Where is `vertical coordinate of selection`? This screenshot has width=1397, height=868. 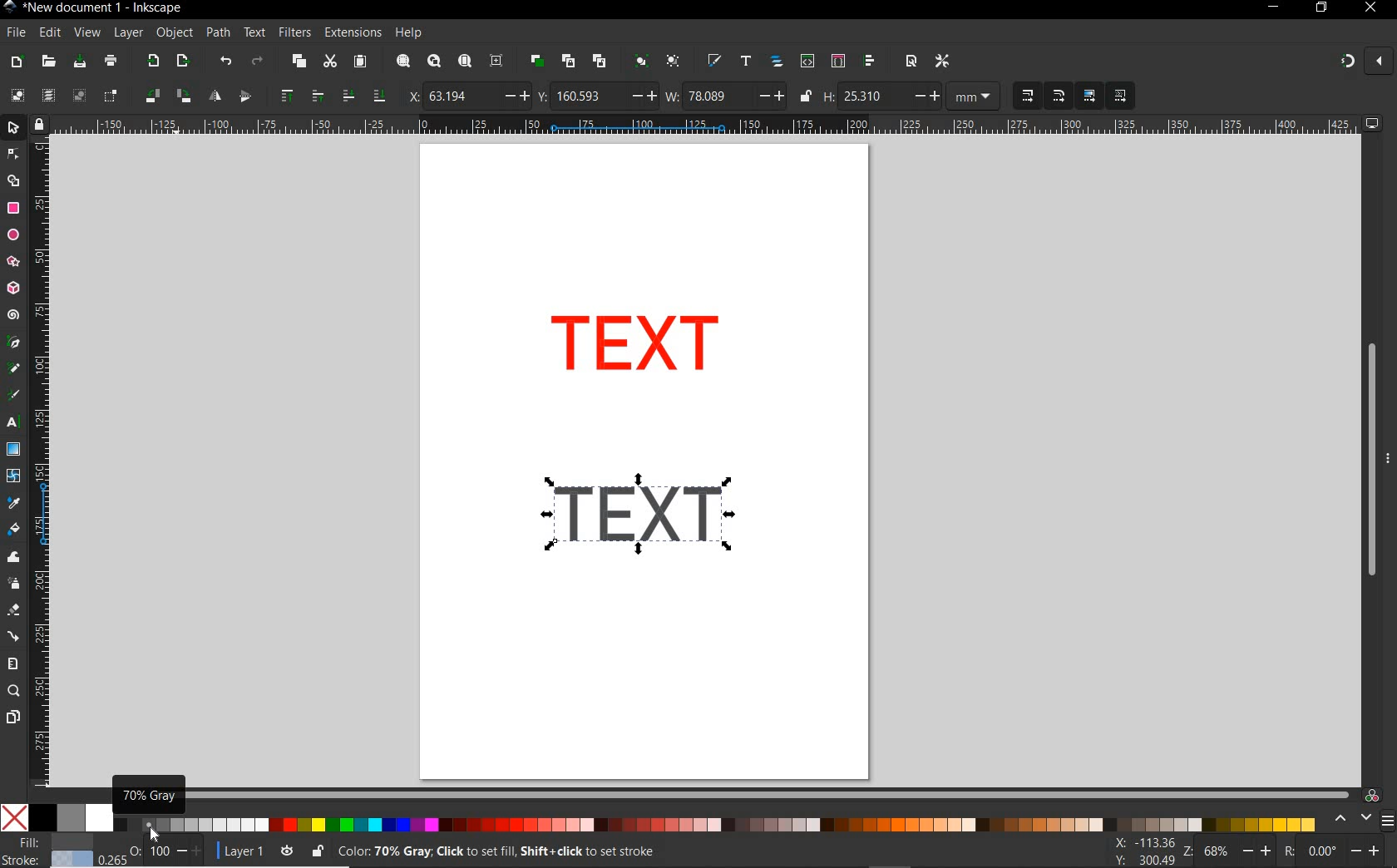
vertical coordinate of selection is located at coordinates (596, 96).